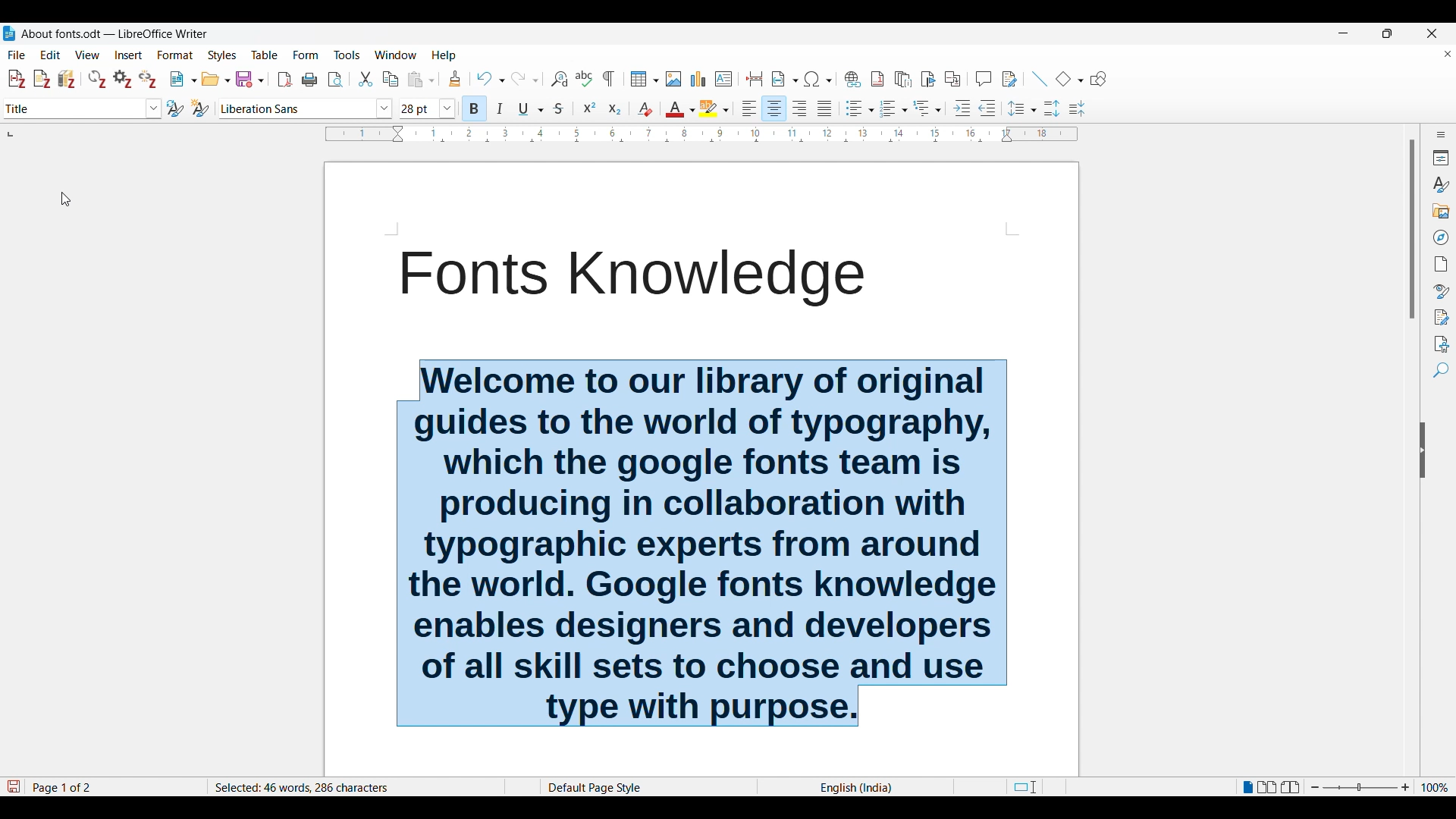 Image resolution: width=1456 pixels, height=819 pixels. What do you see at coordinates (525, 79) in the screenshot?
I see `Redo` at bounding box center [525, 79].